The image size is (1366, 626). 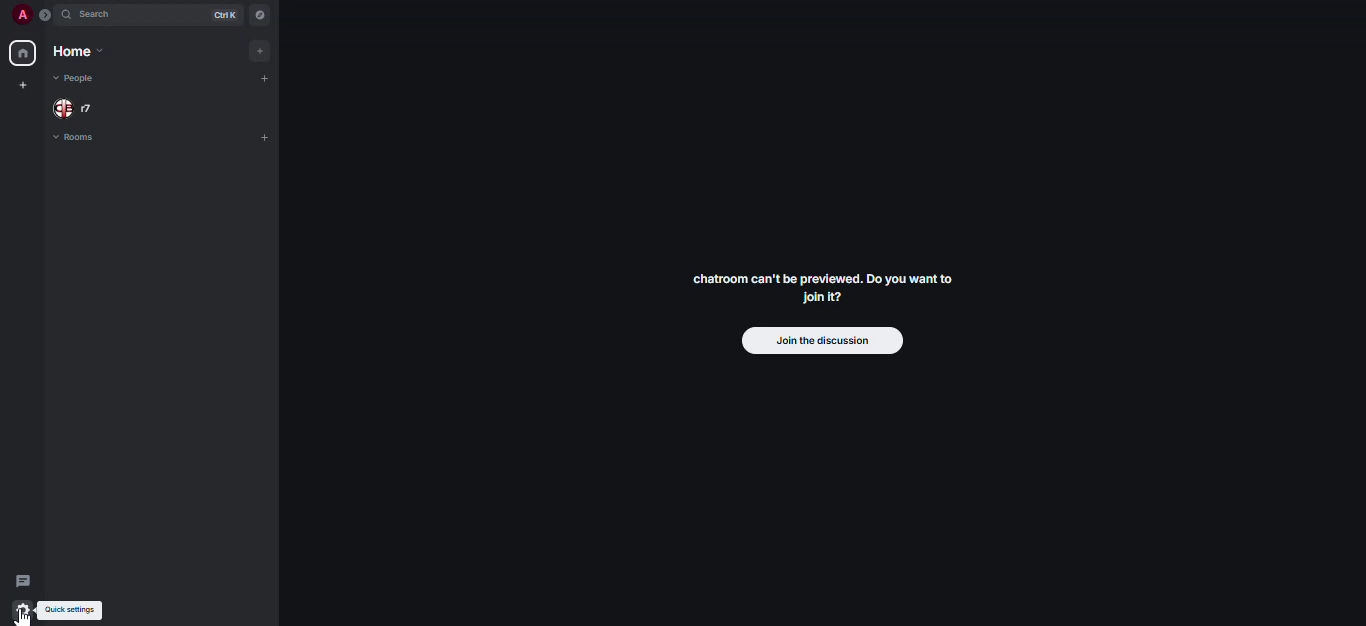 I want to click on ctrl K, so click(x=225, y=14).